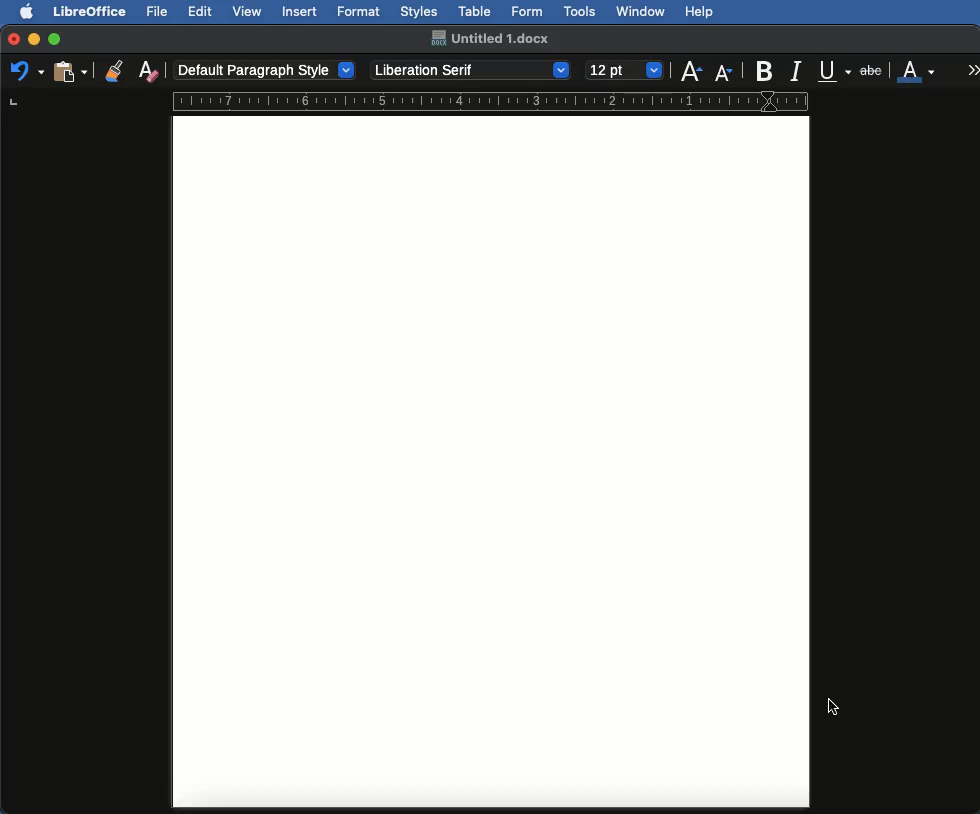 The width and height of the screenshot is (980, 814). I want to click on Clone formatting, so click(114, 70).